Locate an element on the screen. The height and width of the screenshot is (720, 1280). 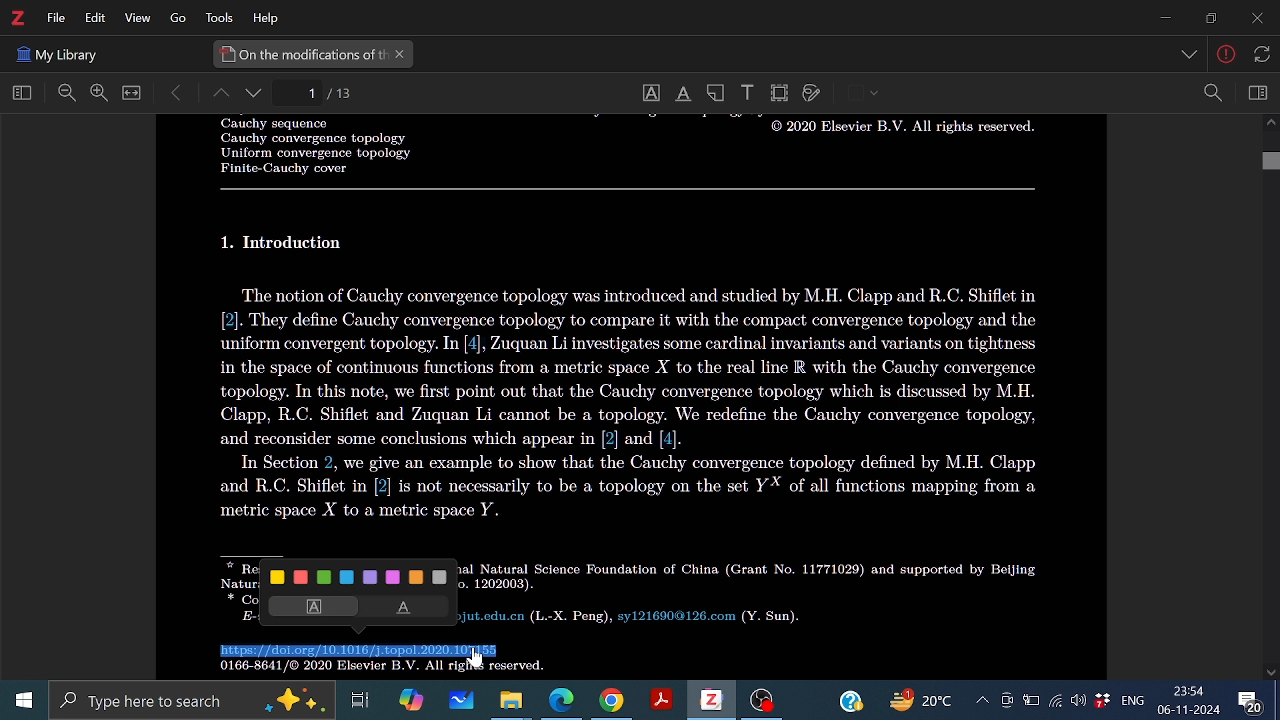
 is located at coordinates (753, 592).